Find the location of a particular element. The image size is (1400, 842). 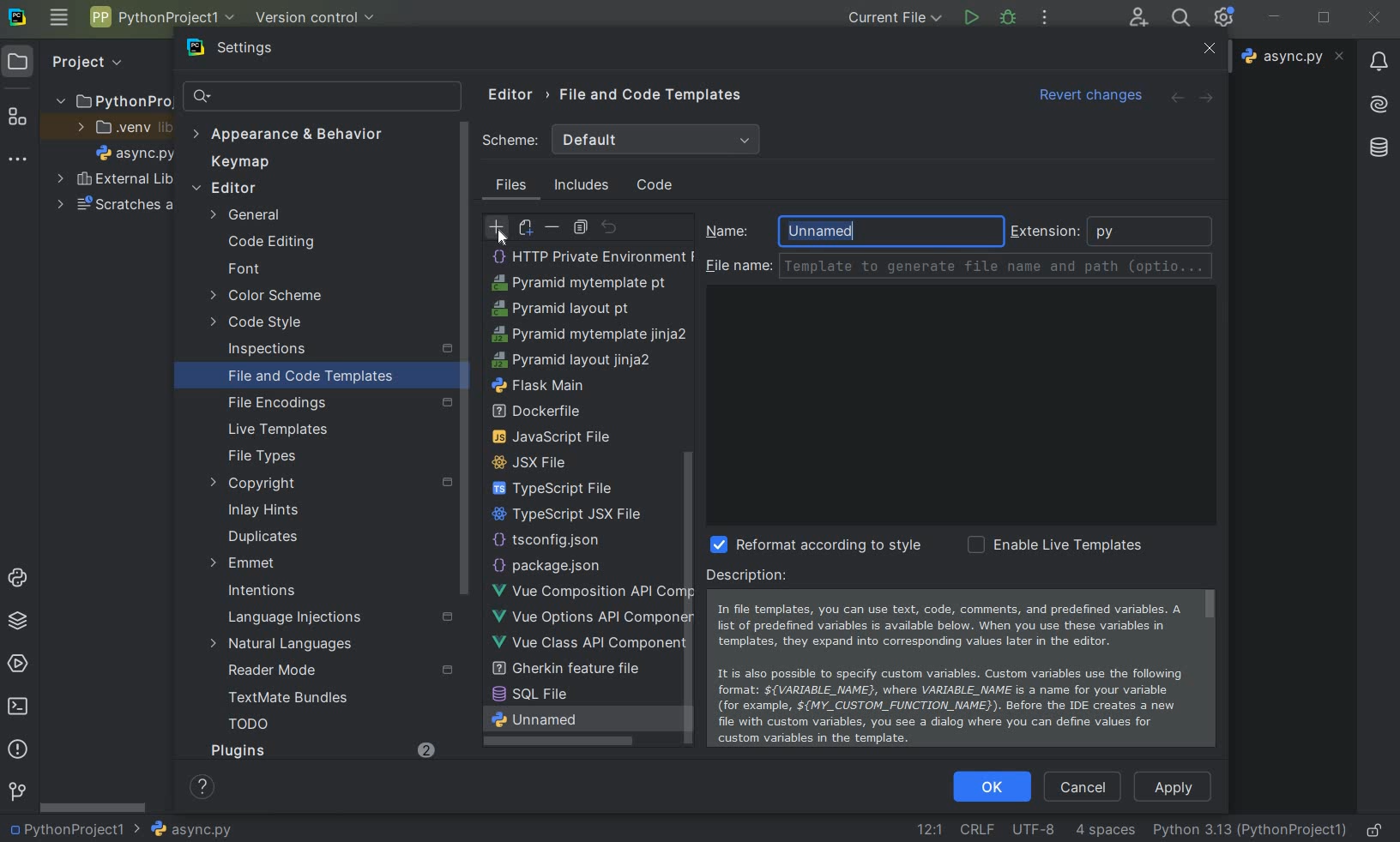

settings is located at coordinates (251, 48).